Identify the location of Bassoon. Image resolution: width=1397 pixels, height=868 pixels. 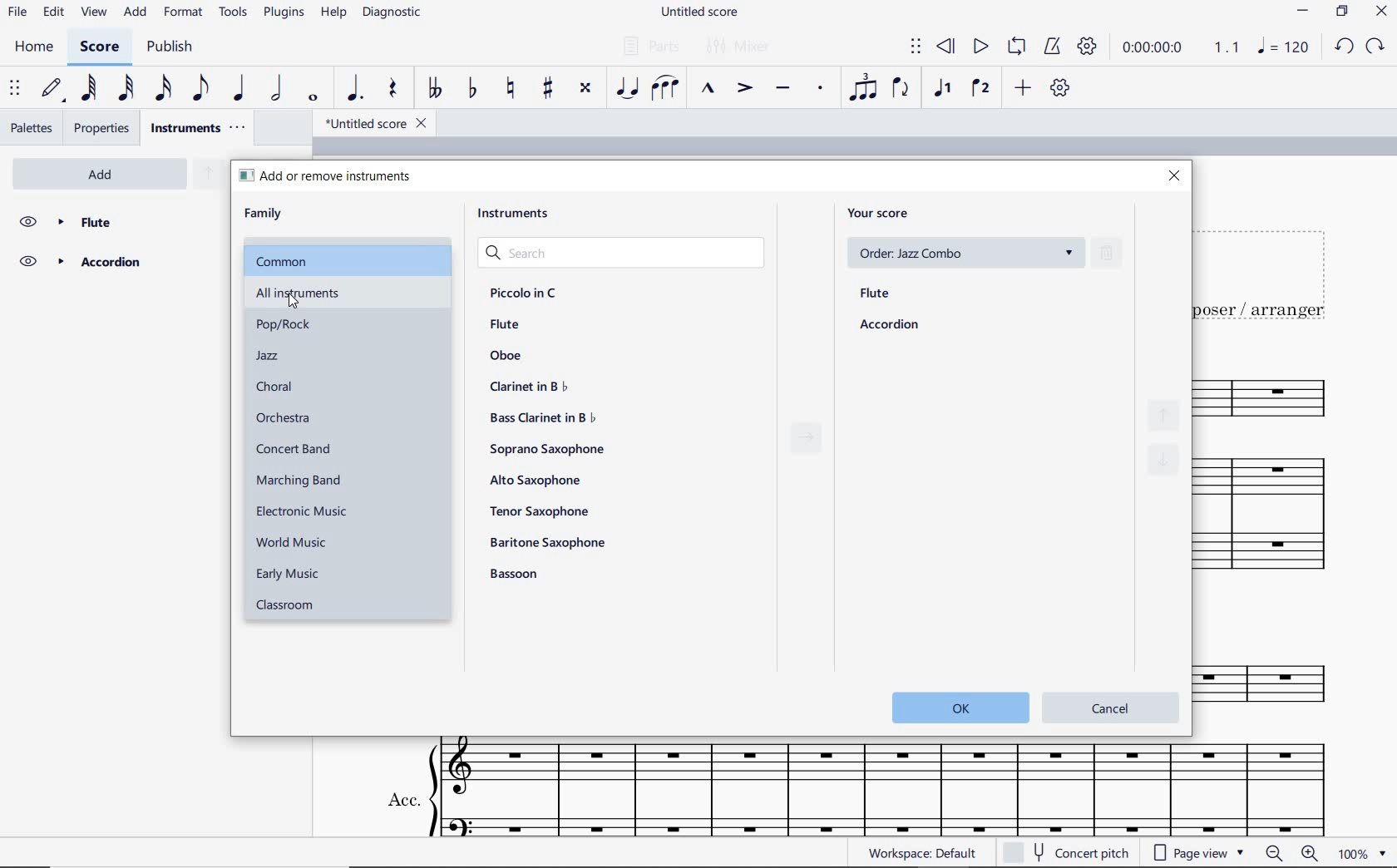
(520, 575).